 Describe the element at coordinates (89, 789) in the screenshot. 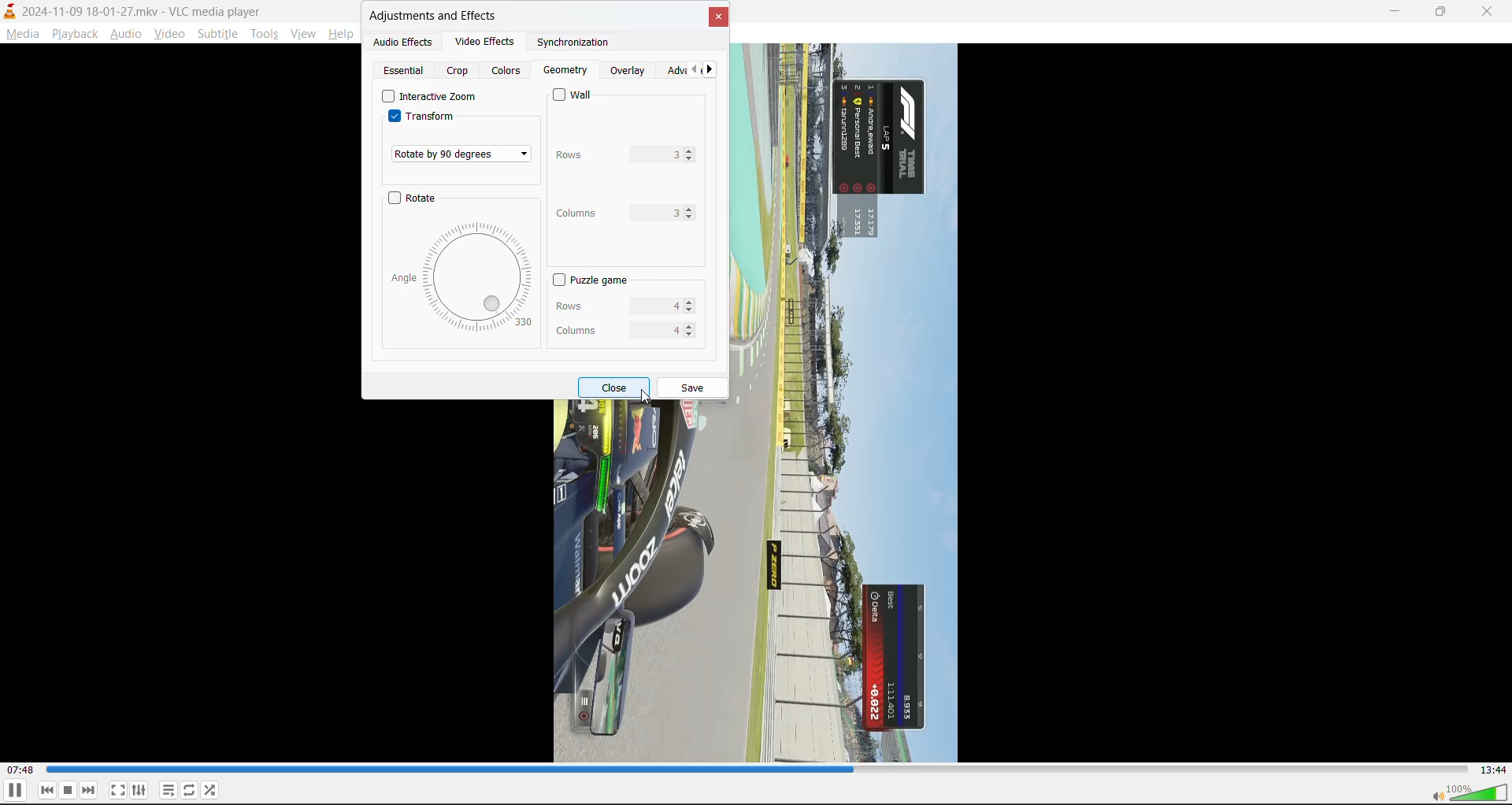

I see `next` at that location.